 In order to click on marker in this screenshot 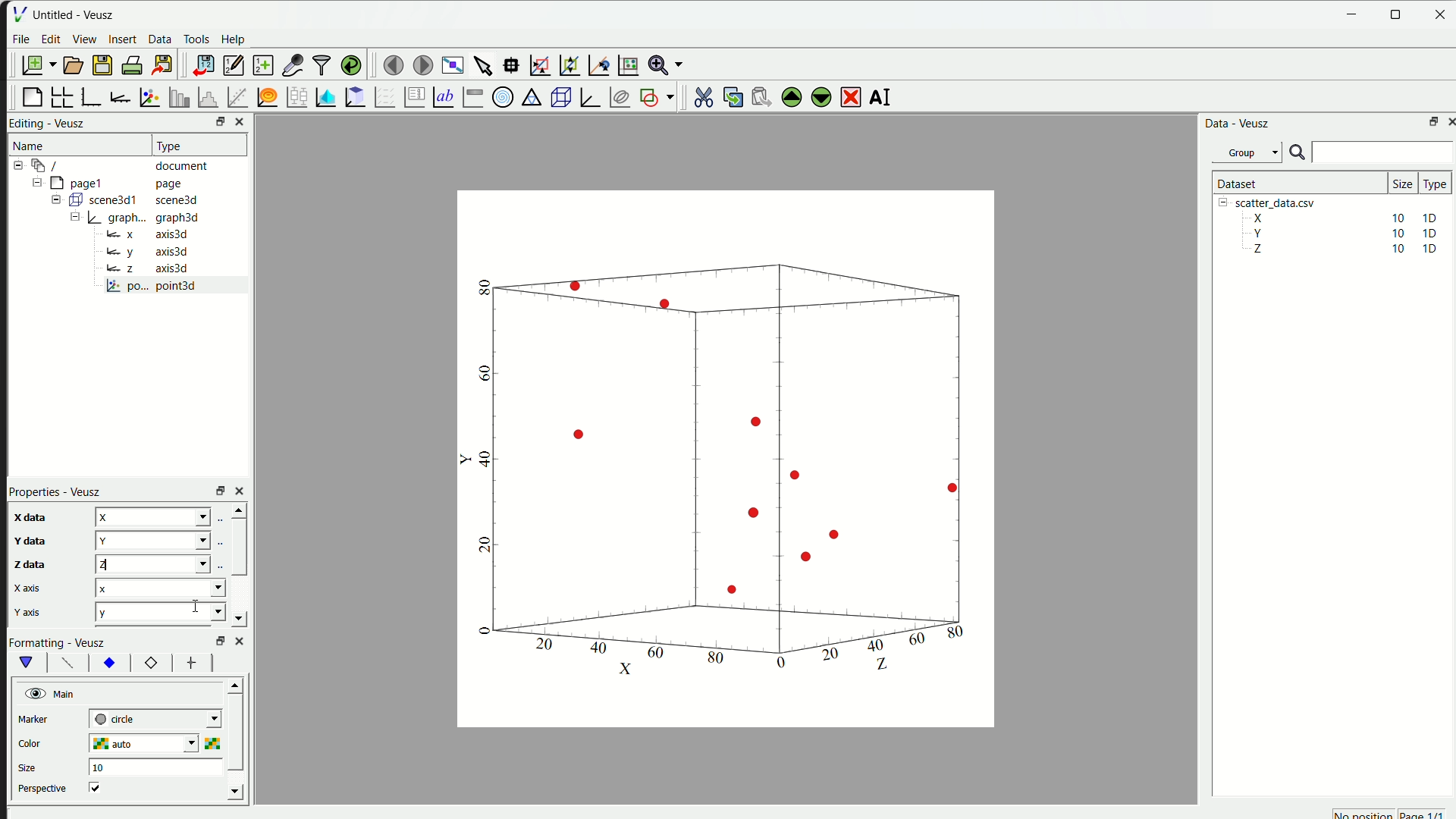, I will do `click(39, 719)`.